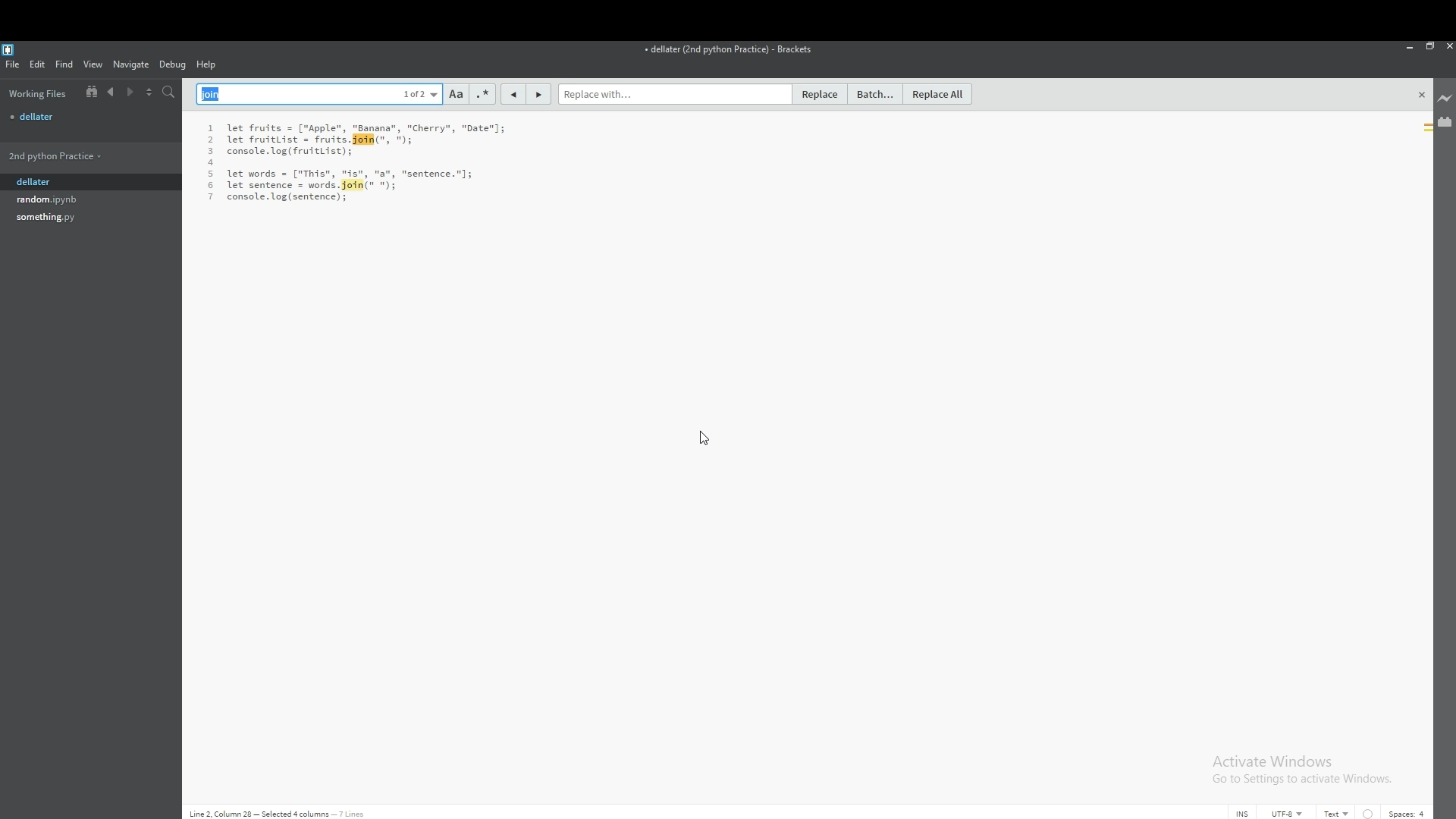 The width and height of the screenshot is (1456, 819). Describe the element at coordinates (1368, 813) in the screenshot. I see `indent` at that location.